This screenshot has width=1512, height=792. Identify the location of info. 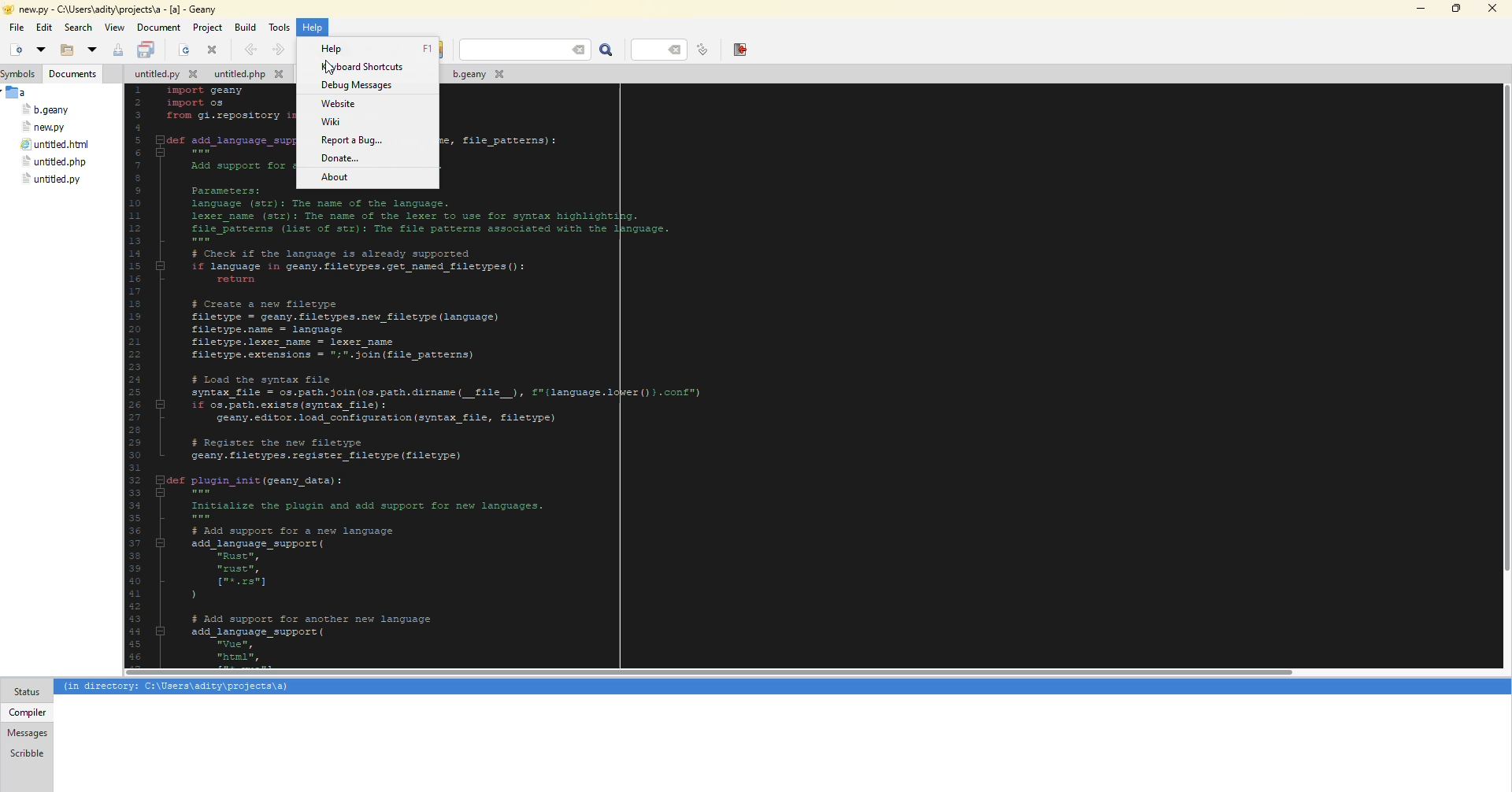
(177, 687).